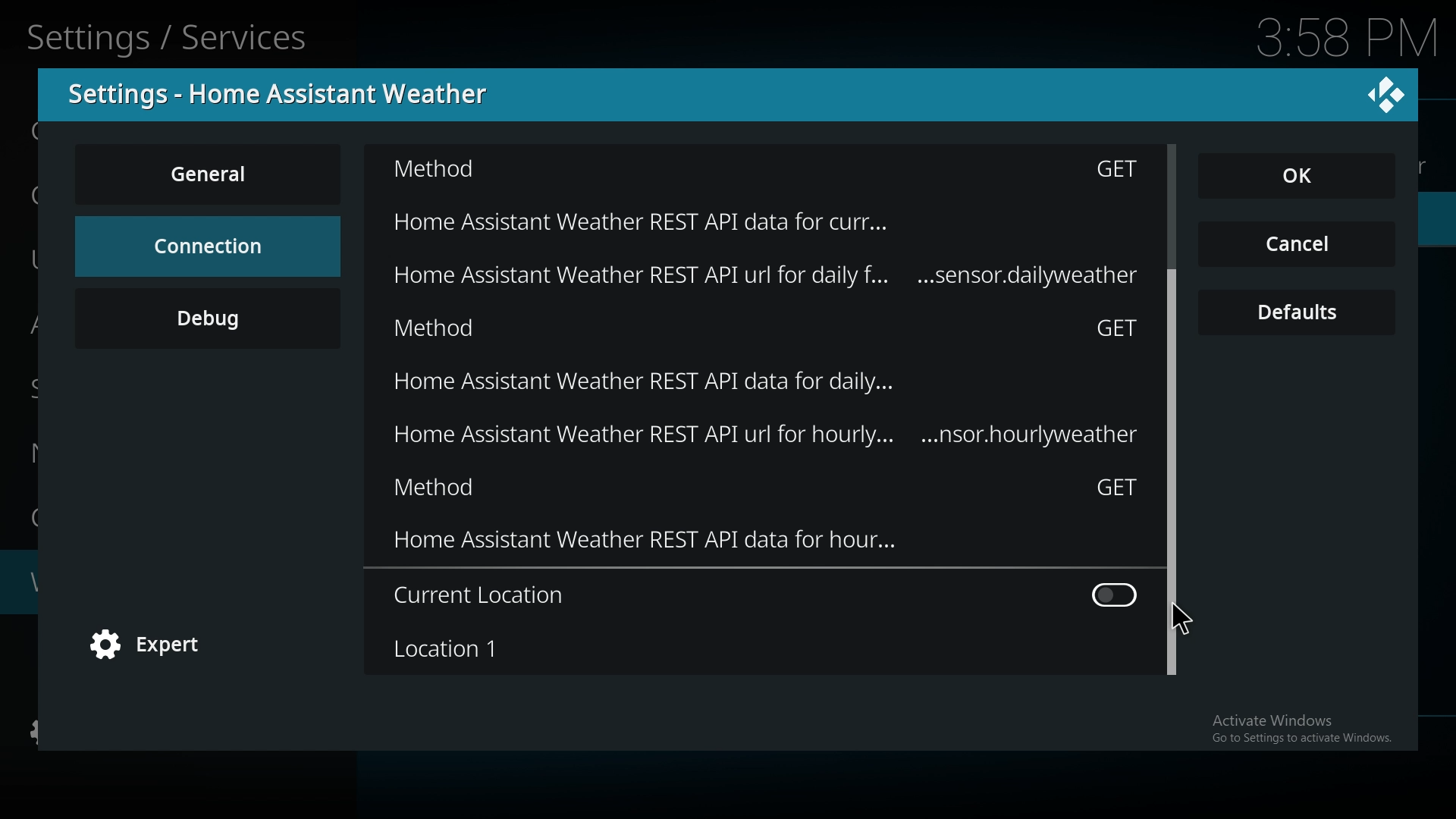 The image size is (1456, 819). I want to click on settings - home assistant weather, so click(287, 94).